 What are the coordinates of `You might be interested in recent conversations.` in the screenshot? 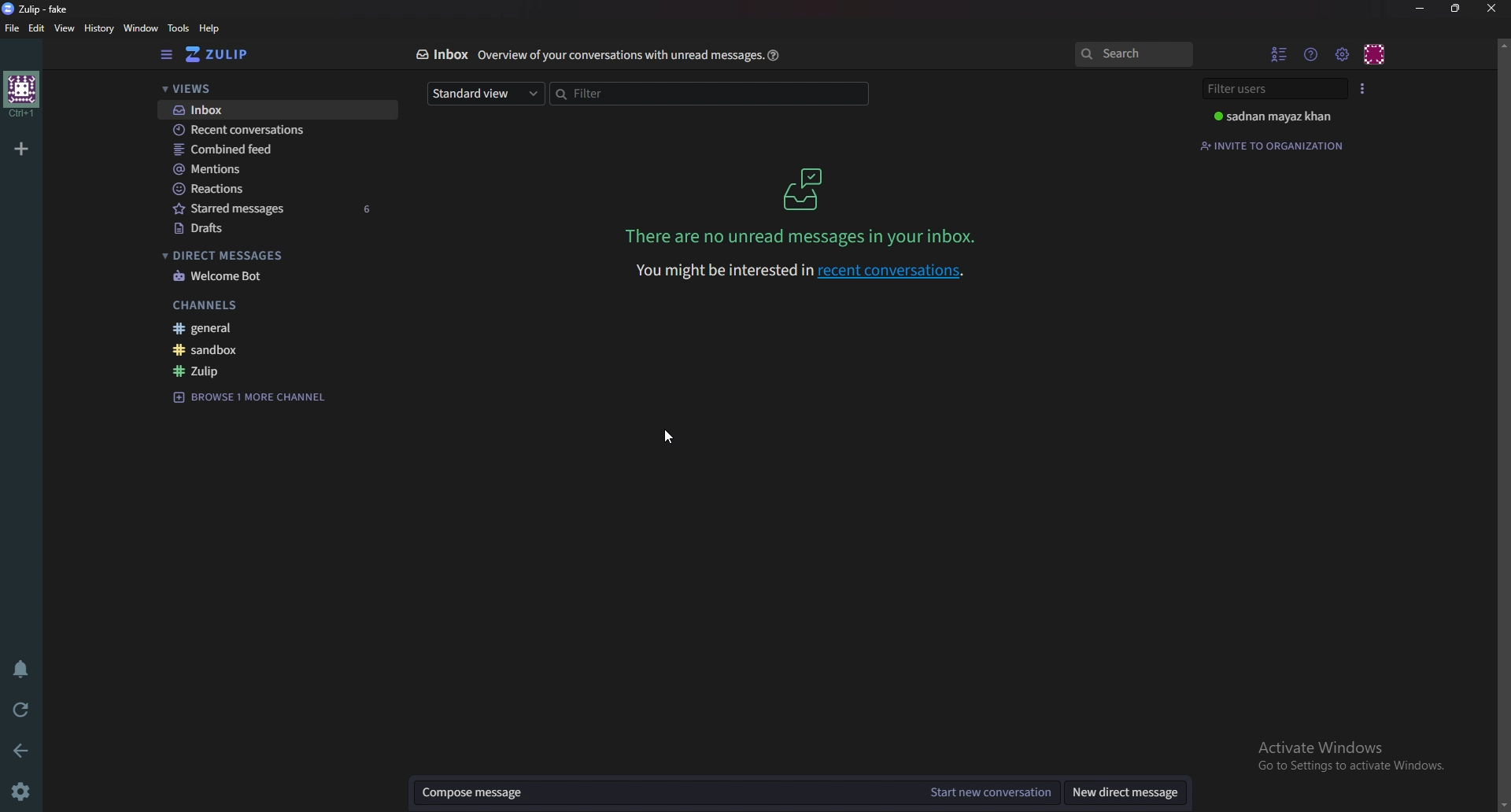 It's located at (806, 272).